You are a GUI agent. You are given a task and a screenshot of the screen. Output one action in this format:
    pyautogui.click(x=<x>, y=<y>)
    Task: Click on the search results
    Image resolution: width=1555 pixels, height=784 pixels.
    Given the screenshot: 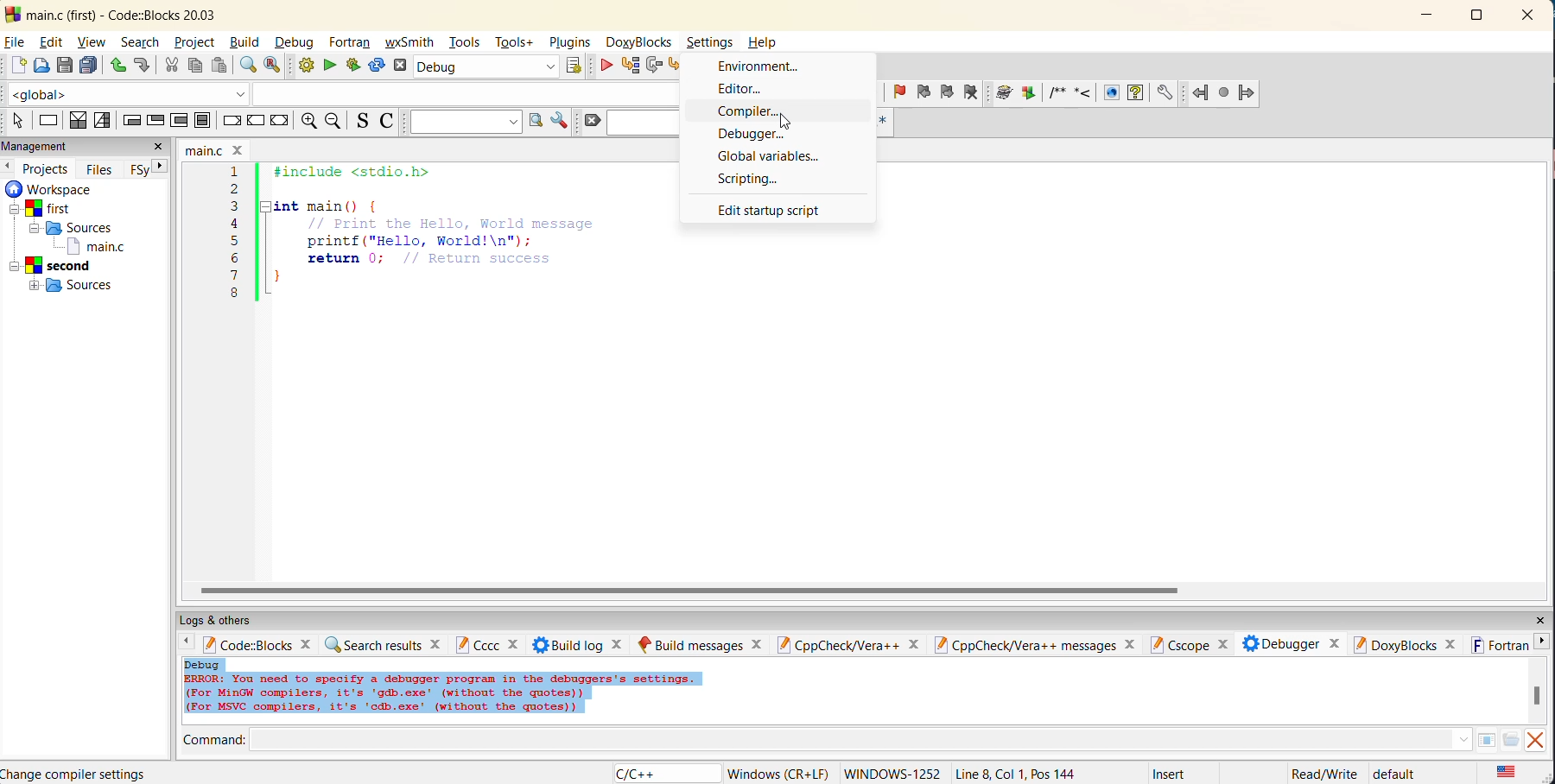 What is the action you would take?
    pyautogui.click(x=385, y=645)
    